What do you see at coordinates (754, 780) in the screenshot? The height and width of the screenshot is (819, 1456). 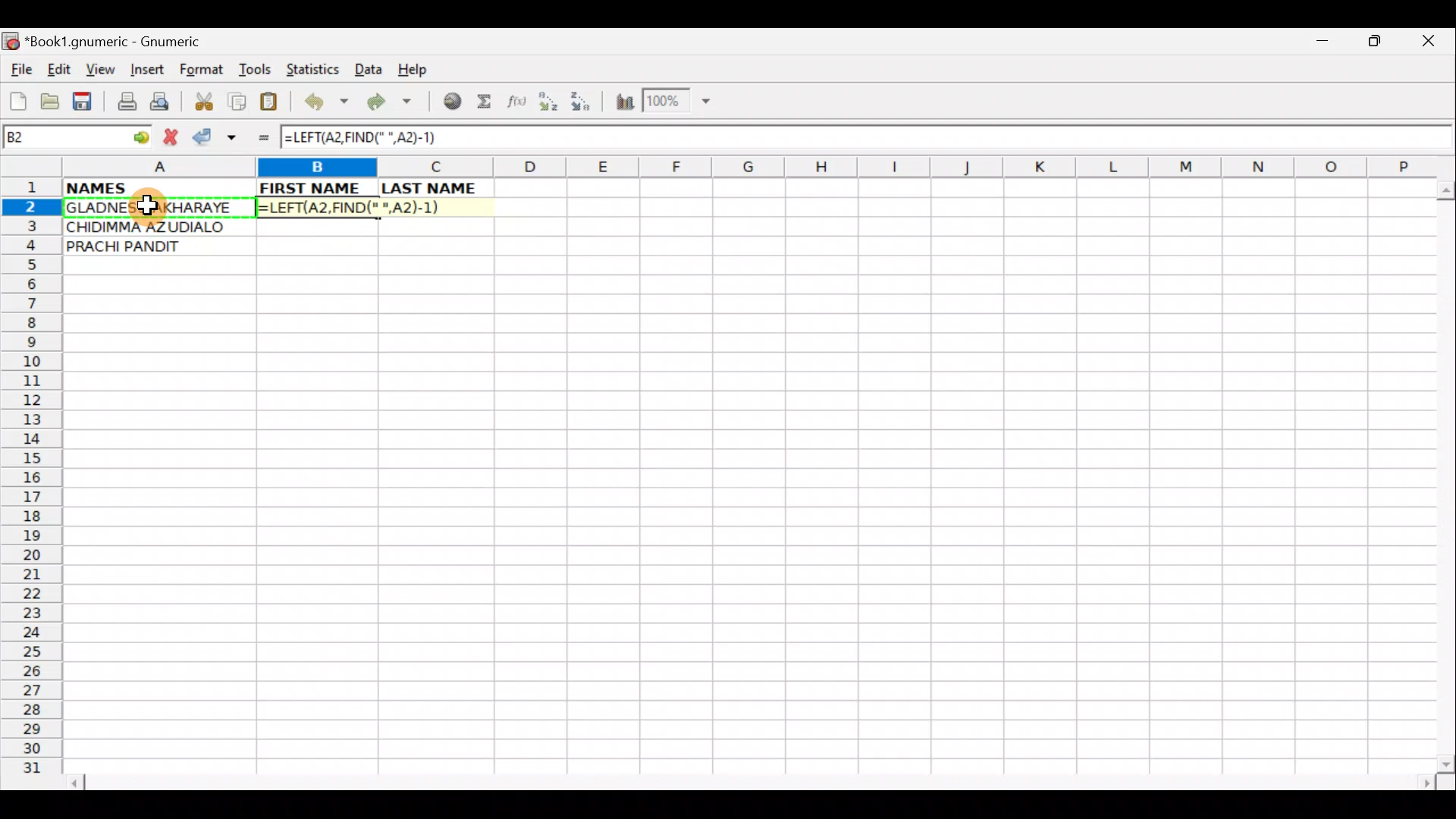 I see `Scroll bar` at bounding box center [754, 780].